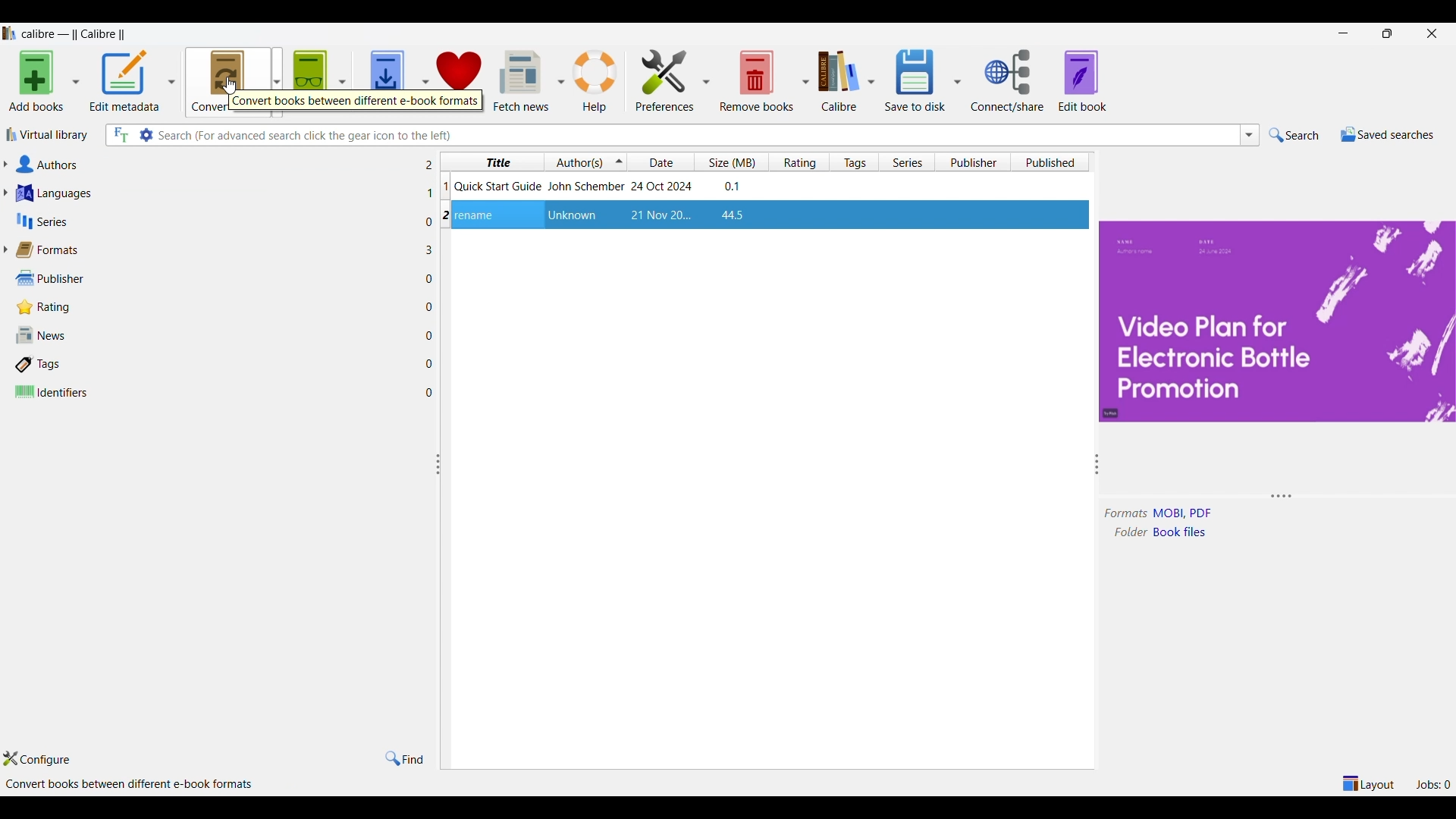  Describe the element at coordinates (1091, 580) in the screenshot. I see `Change width of panels attached to this line` at that location.